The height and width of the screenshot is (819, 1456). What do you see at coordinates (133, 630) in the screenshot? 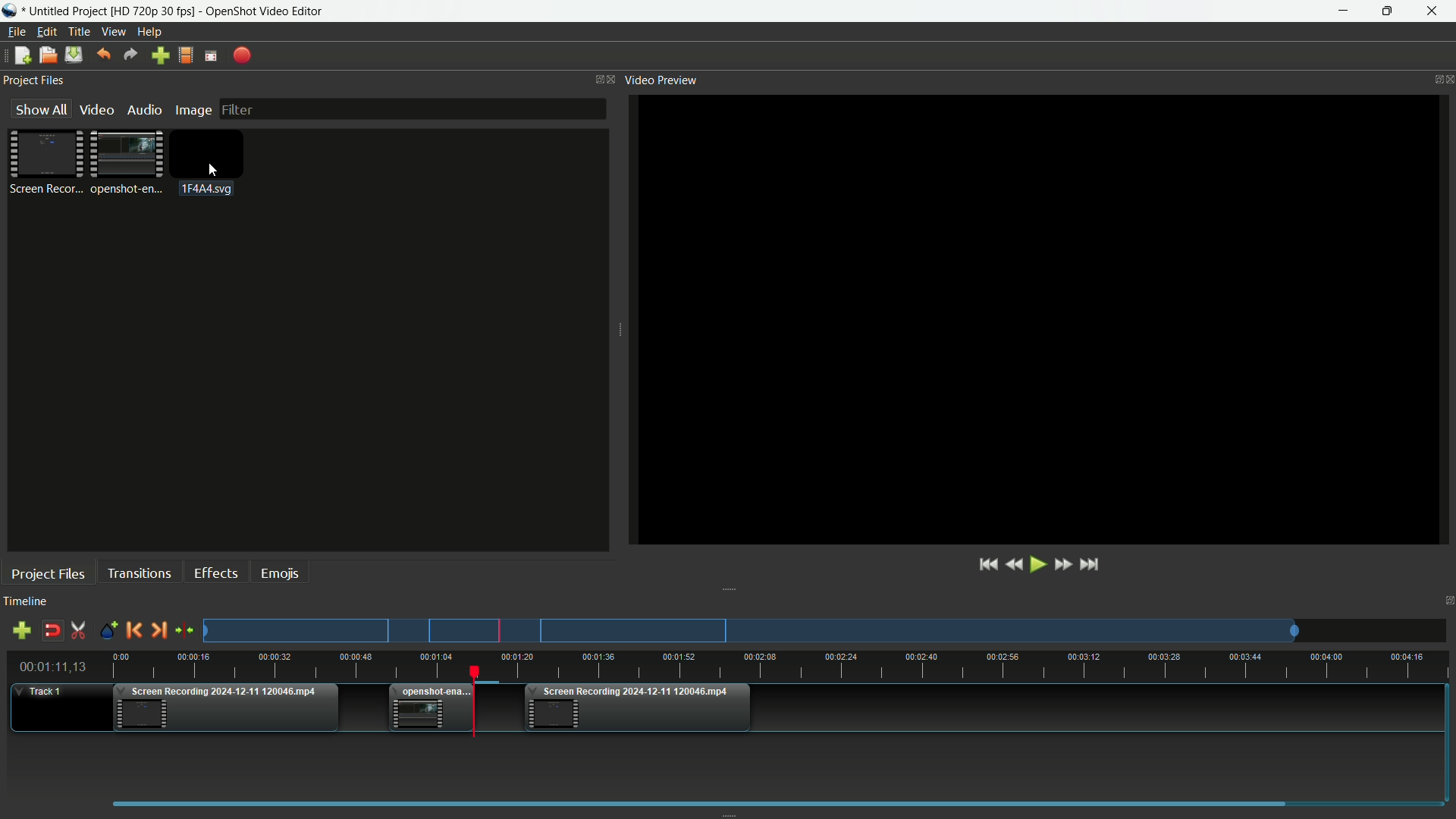
I see `Previous marker` at bounding box center [133, 630].